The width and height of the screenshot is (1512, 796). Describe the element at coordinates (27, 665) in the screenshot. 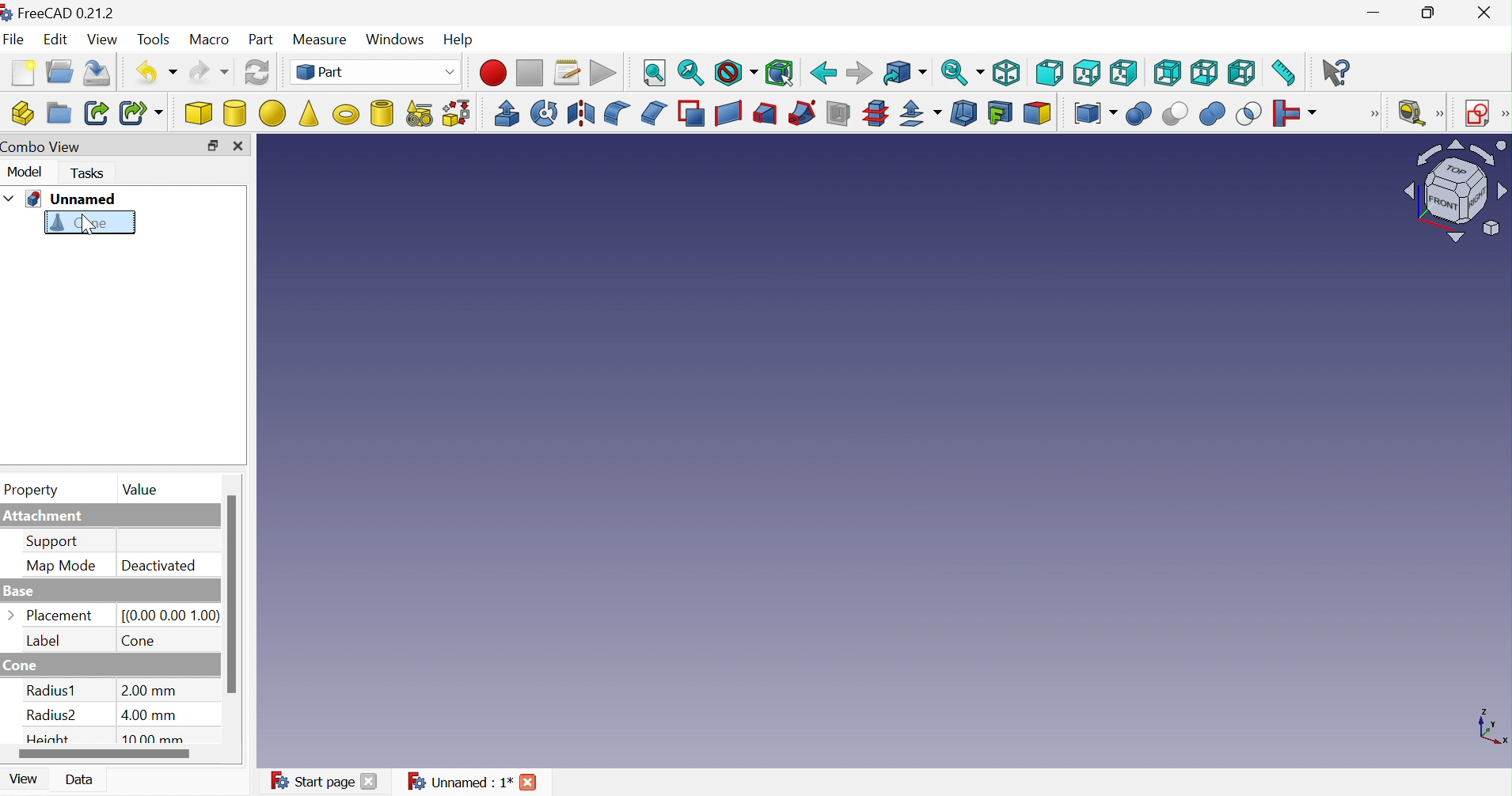

I see `Cone` at that location.